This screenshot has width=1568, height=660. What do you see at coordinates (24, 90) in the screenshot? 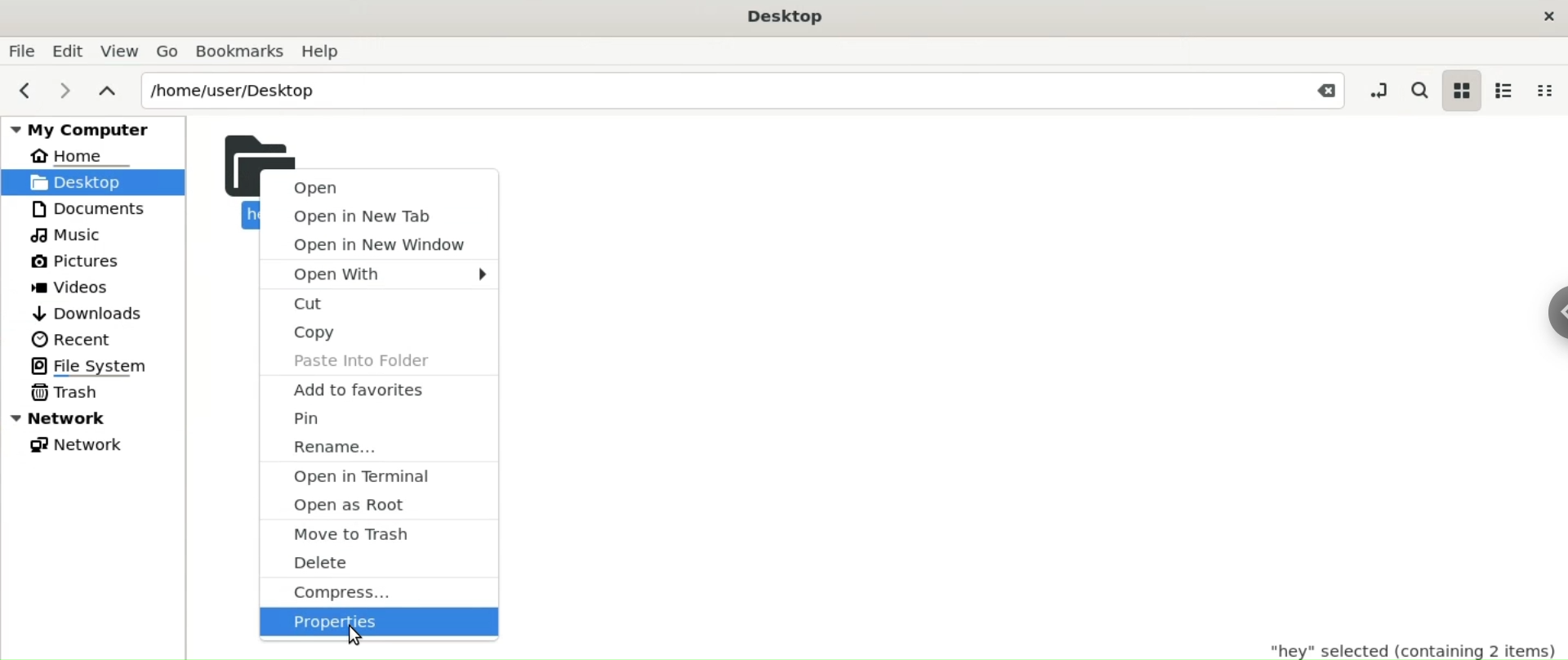
I see `previous` at bounding box center [24, 90].